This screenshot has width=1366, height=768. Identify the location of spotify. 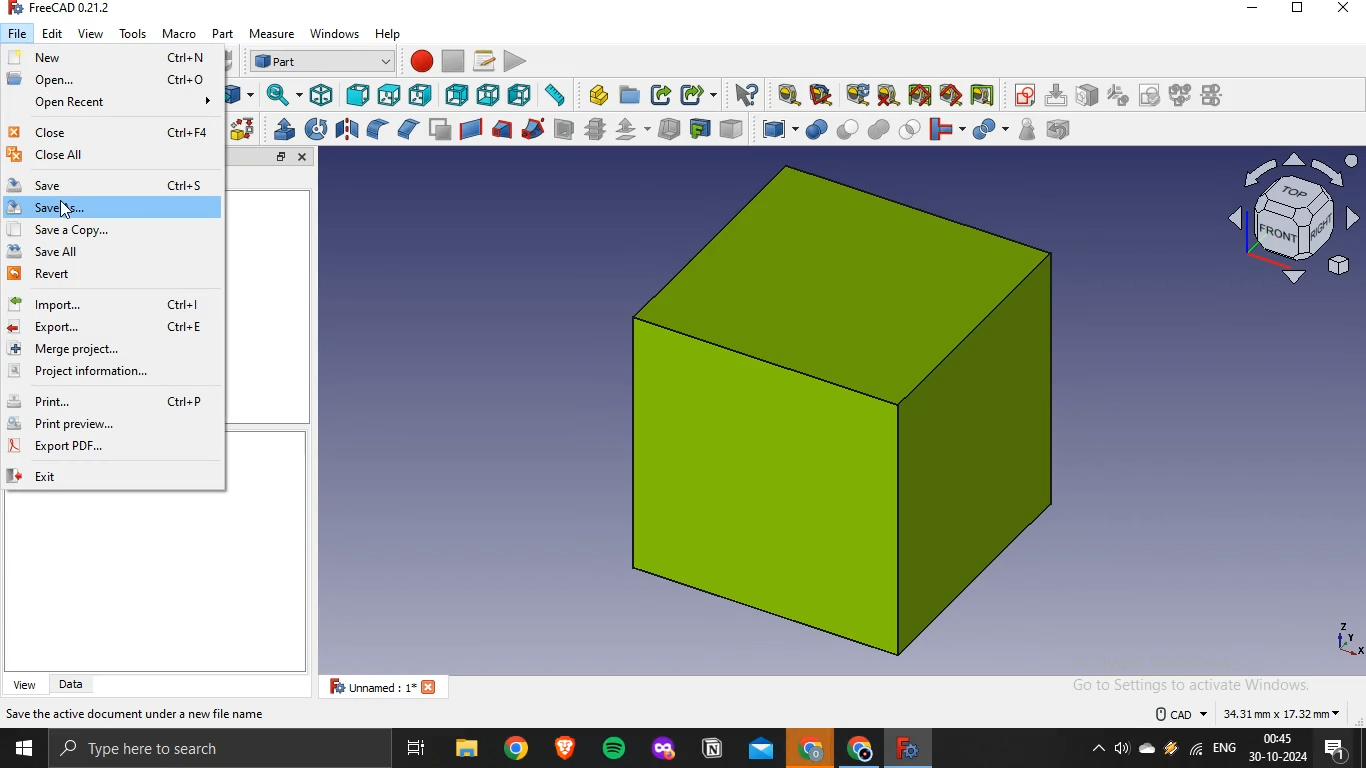
(616, 750).